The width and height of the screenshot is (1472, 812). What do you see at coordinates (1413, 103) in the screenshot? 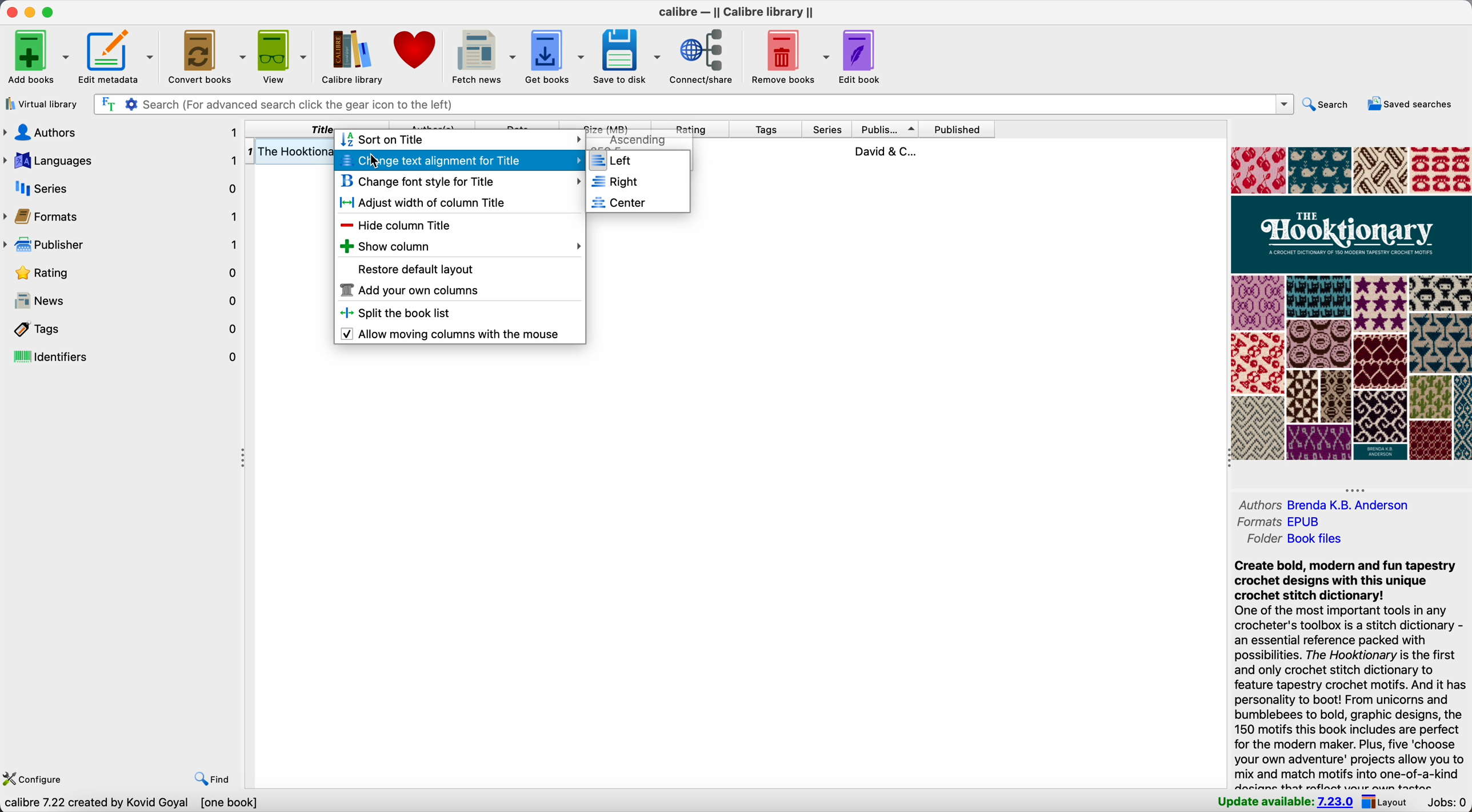
I see `saved searches` at bounding box center [1413, 103].